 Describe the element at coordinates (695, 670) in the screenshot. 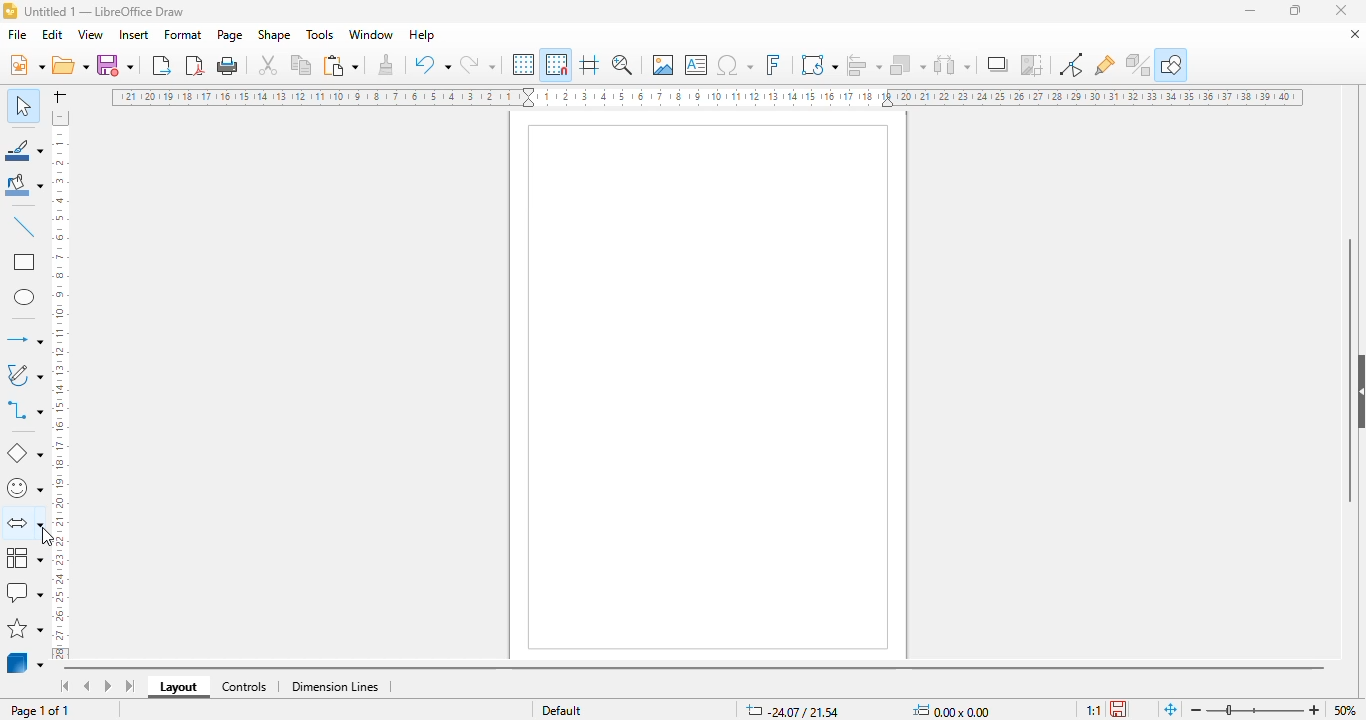

I see `horizontal scroll bar` at that location.